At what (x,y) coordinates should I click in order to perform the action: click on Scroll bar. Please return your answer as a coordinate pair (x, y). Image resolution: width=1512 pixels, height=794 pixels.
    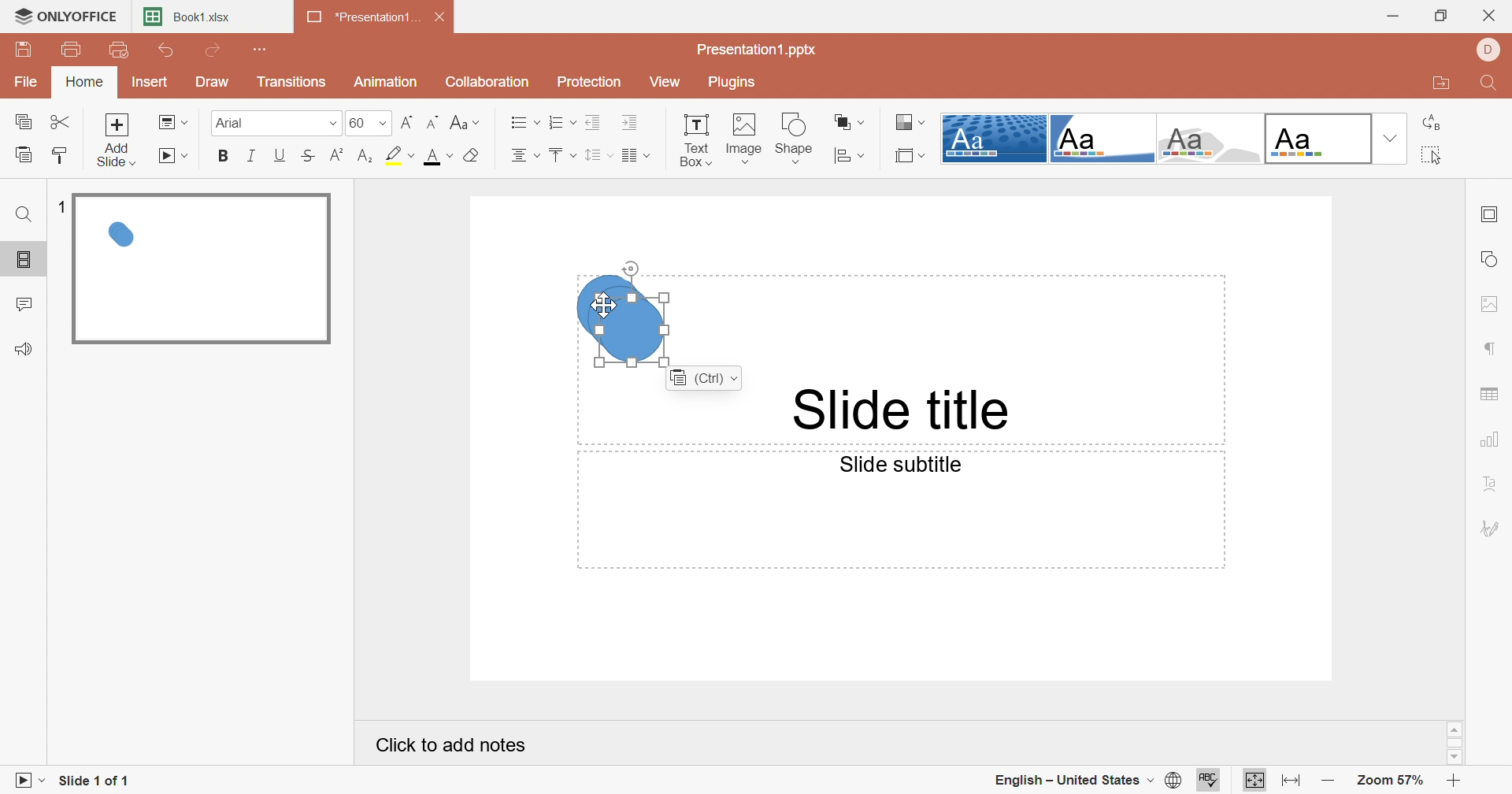
    Looking at the image, I should click on (1455, 743).